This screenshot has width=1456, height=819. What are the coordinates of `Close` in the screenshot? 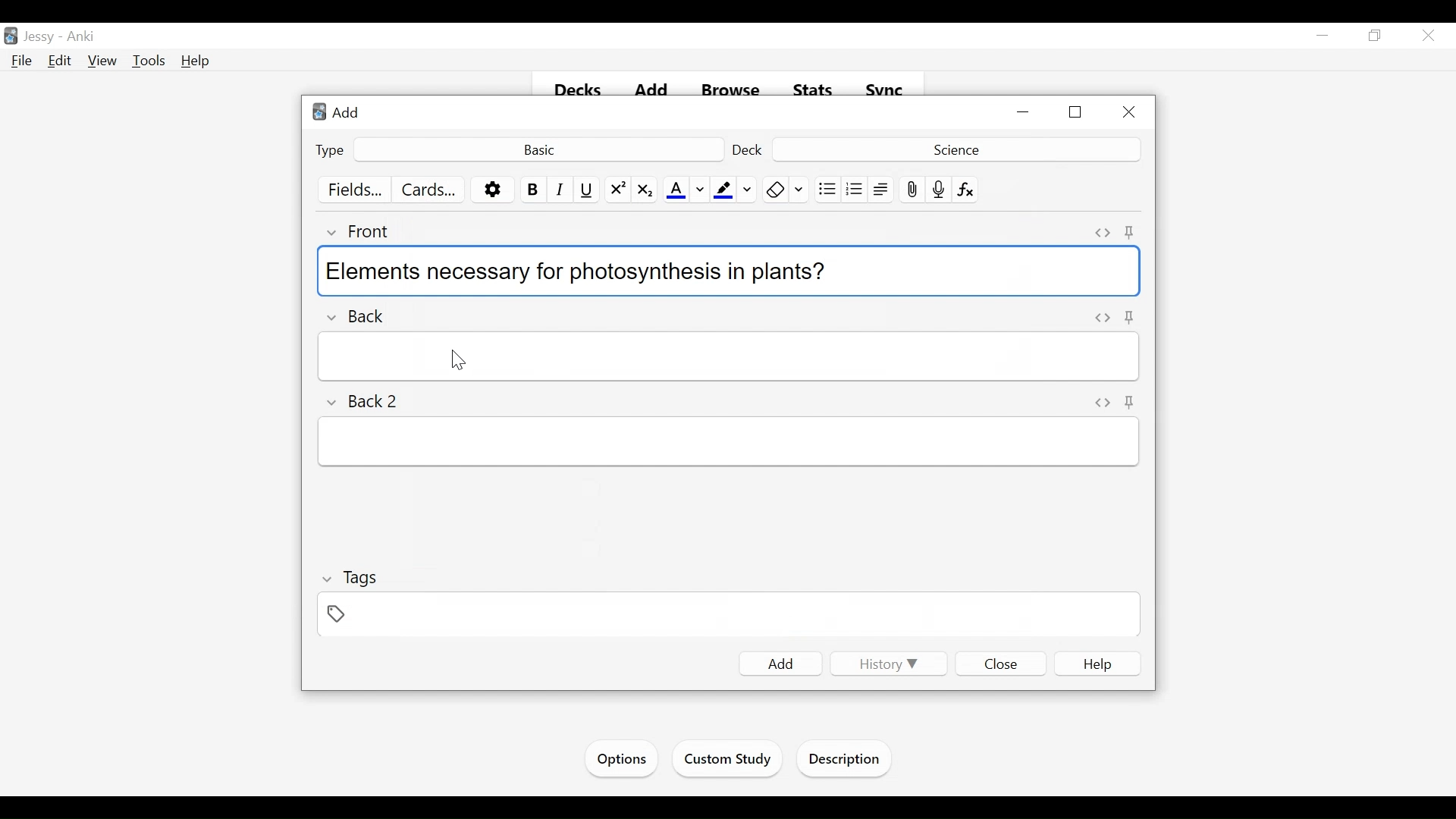 It's located at (1002, 663).